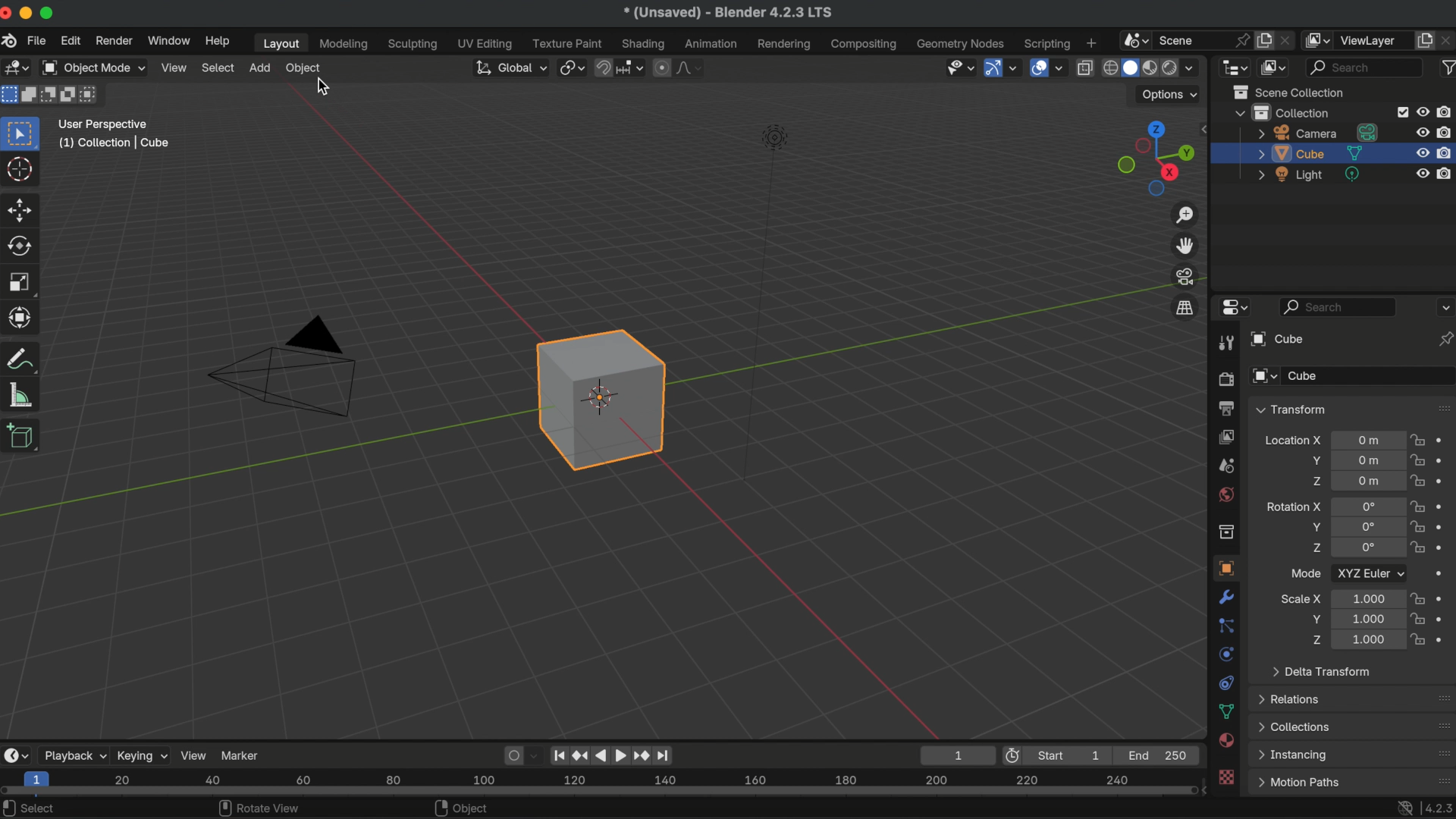 The image size is (1456, 819). What do you see at coordinates (560, 753) in the screenshot?
I see `jumpo to endpoint` at bounding box center [560, 753].